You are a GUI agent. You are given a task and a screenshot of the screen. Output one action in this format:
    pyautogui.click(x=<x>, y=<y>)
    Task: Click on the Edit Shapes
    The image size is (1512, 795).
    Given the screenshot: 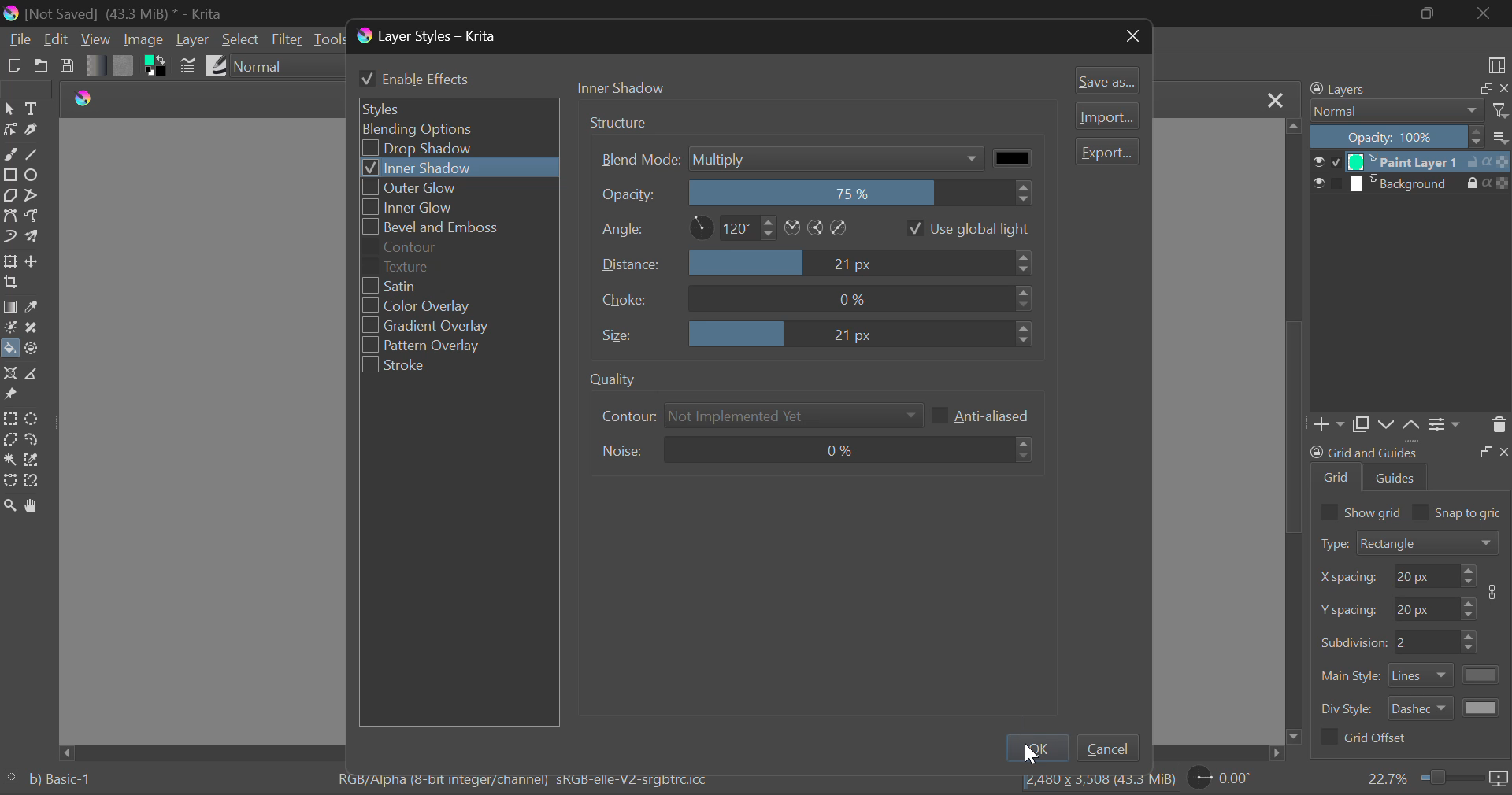 What is the action you would take?
    pyautogui.click(x=9, y=129)
    